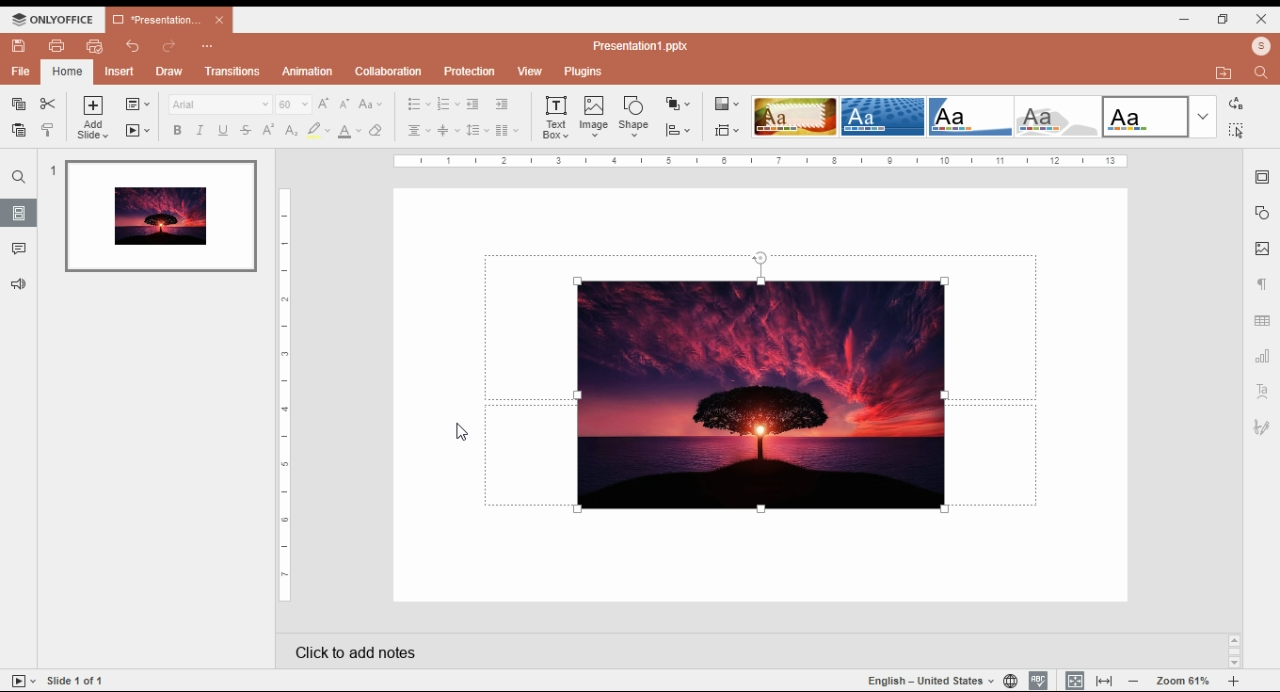 This screenshot has height=692, width=1280. Describe the element at coordinates (1010, 680) in the screenshot. I see `set slide language` at that location.